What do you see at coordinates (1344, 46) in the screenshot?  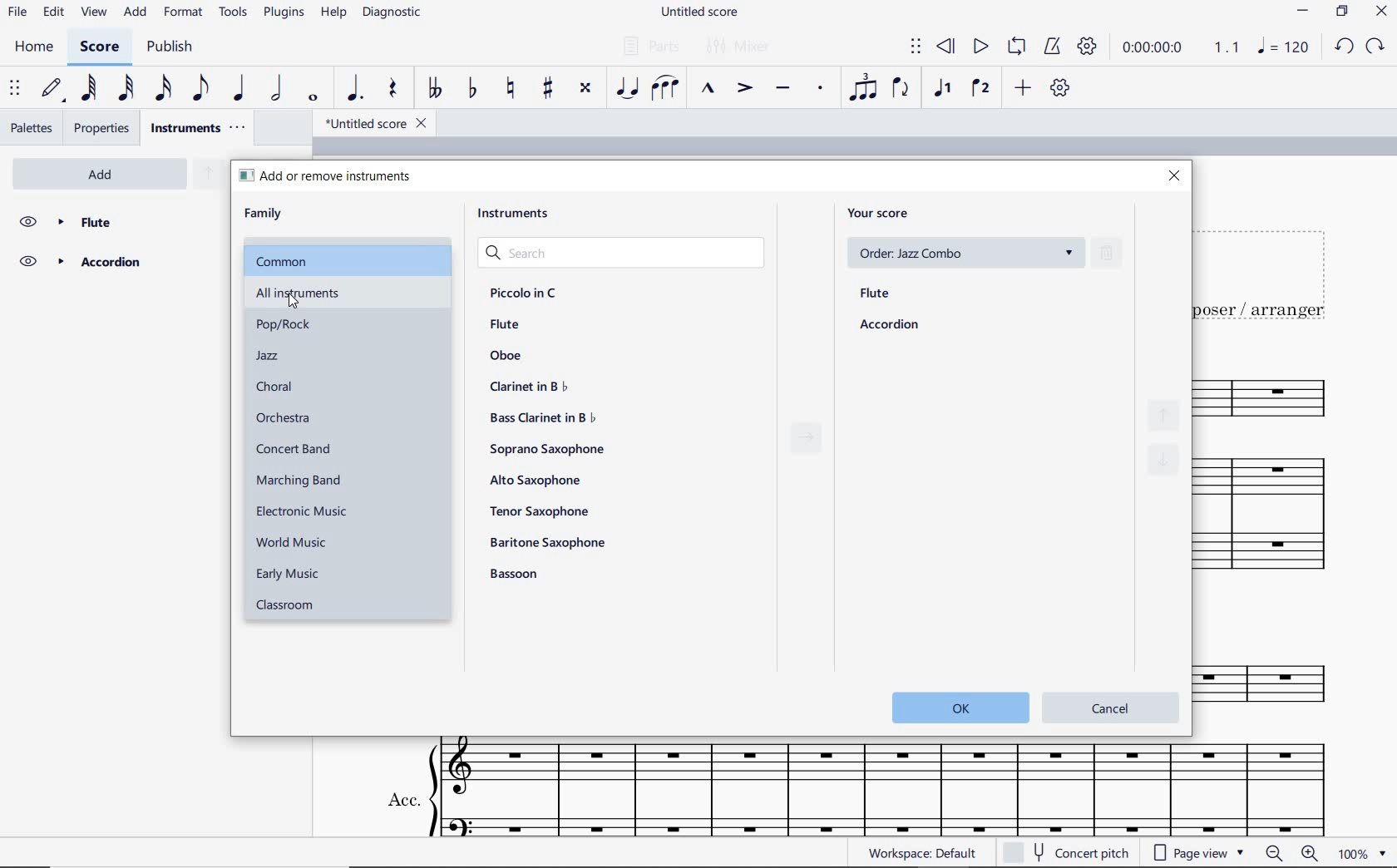 I see `UNDO` at bounding box center [1344, 46].